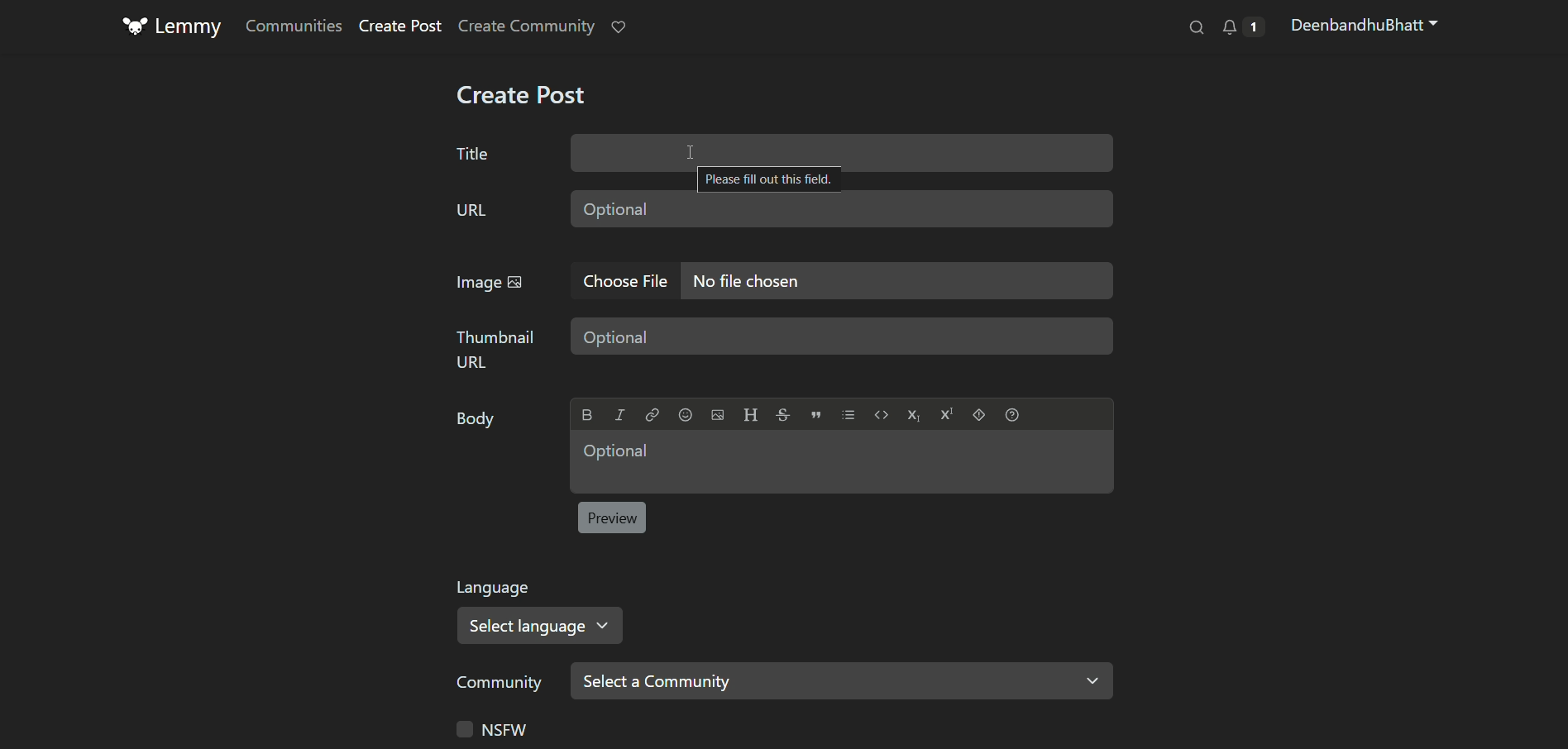 This screenshot has width=1568, height=749. What do you see at coordinates (401, 27) in the screenshot?
I see `create post` at bounding box center [401, 27].